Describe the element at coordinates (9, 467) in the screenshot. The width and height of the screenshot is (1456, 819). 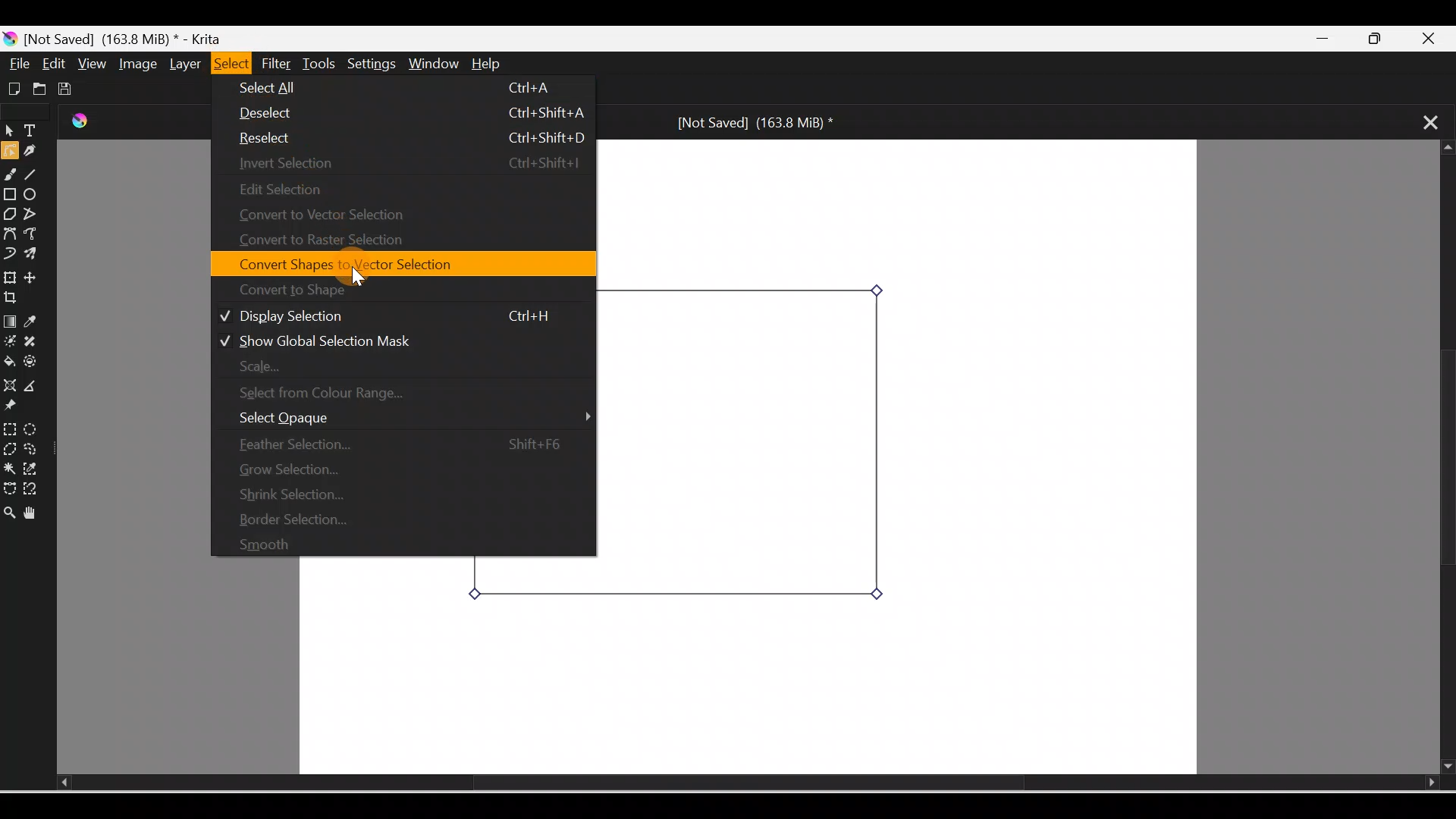
I see `Contiguous selection tool` at that location.